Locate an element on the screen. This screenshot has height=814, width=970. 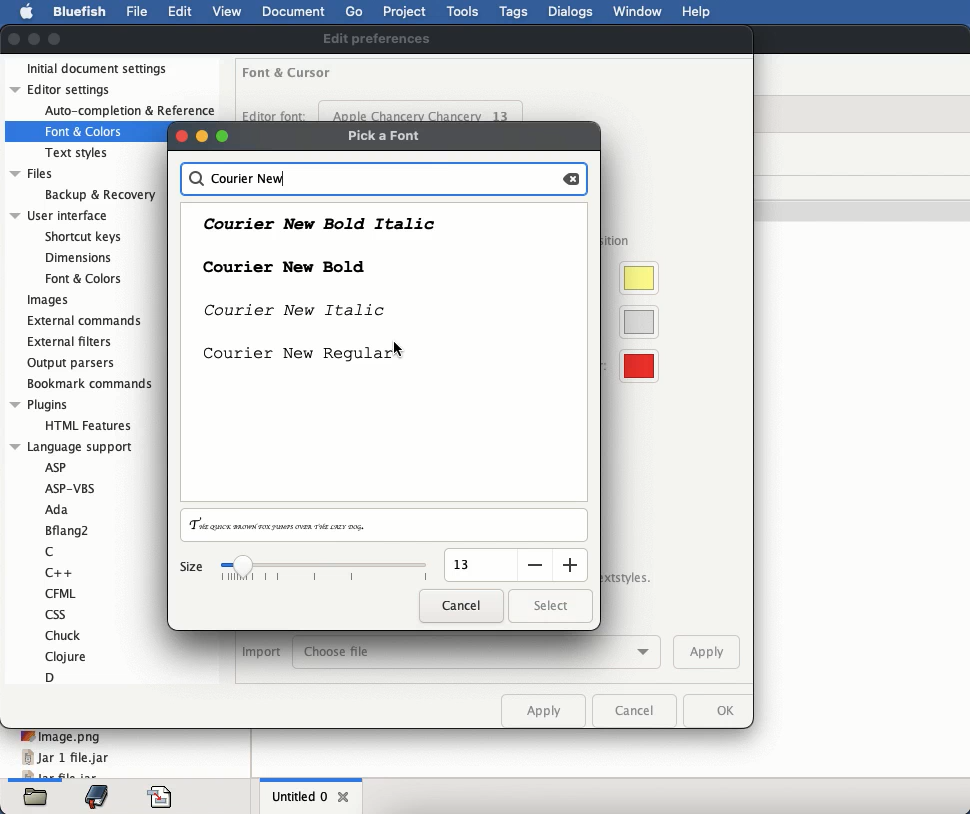
language support is located at coordinates (84, 563).